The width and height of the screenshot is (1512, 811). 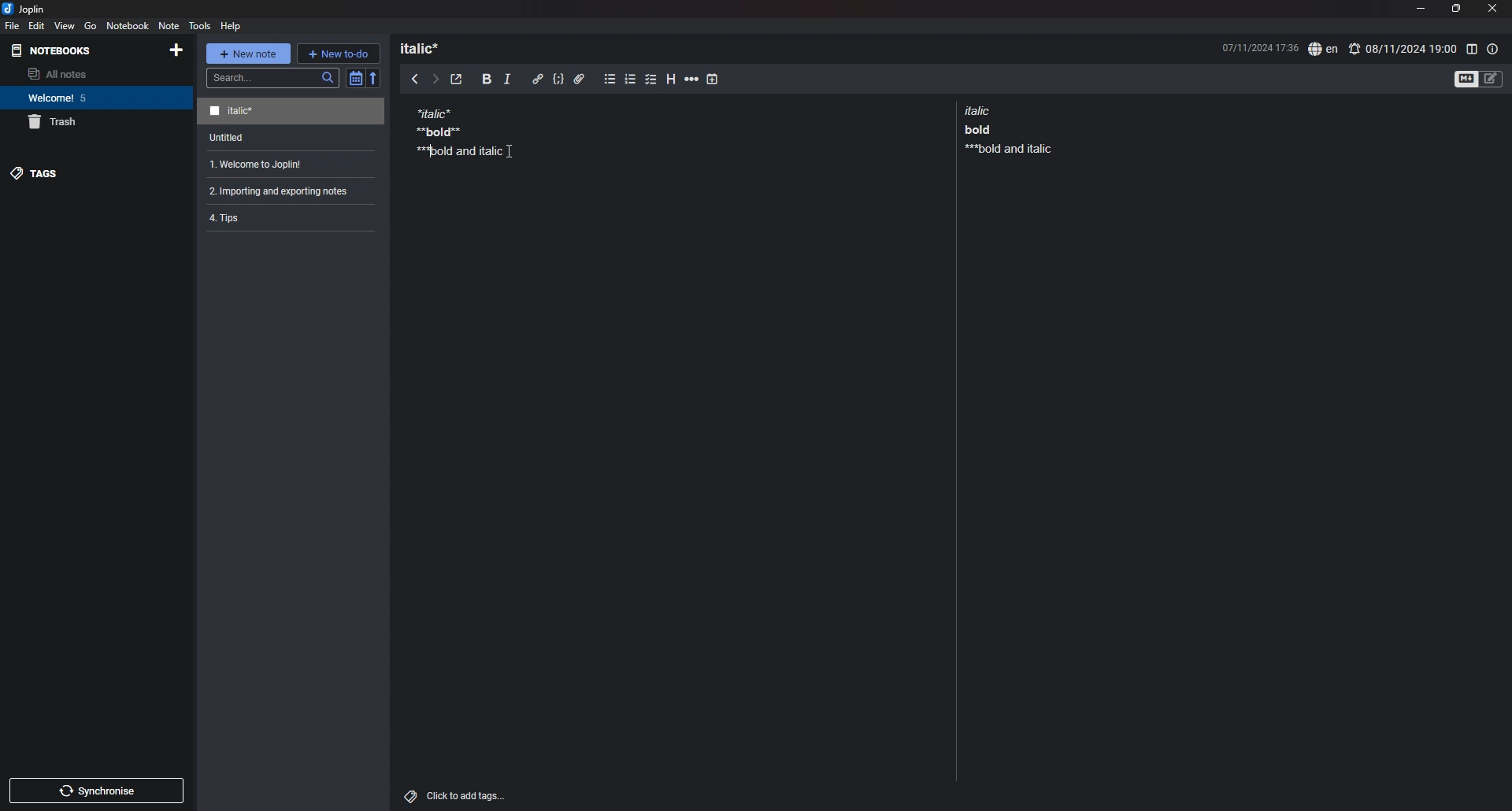 What do you see at coordinates (435, 80) in the screenshot?
I see `next` at bounding box center [435, 80].